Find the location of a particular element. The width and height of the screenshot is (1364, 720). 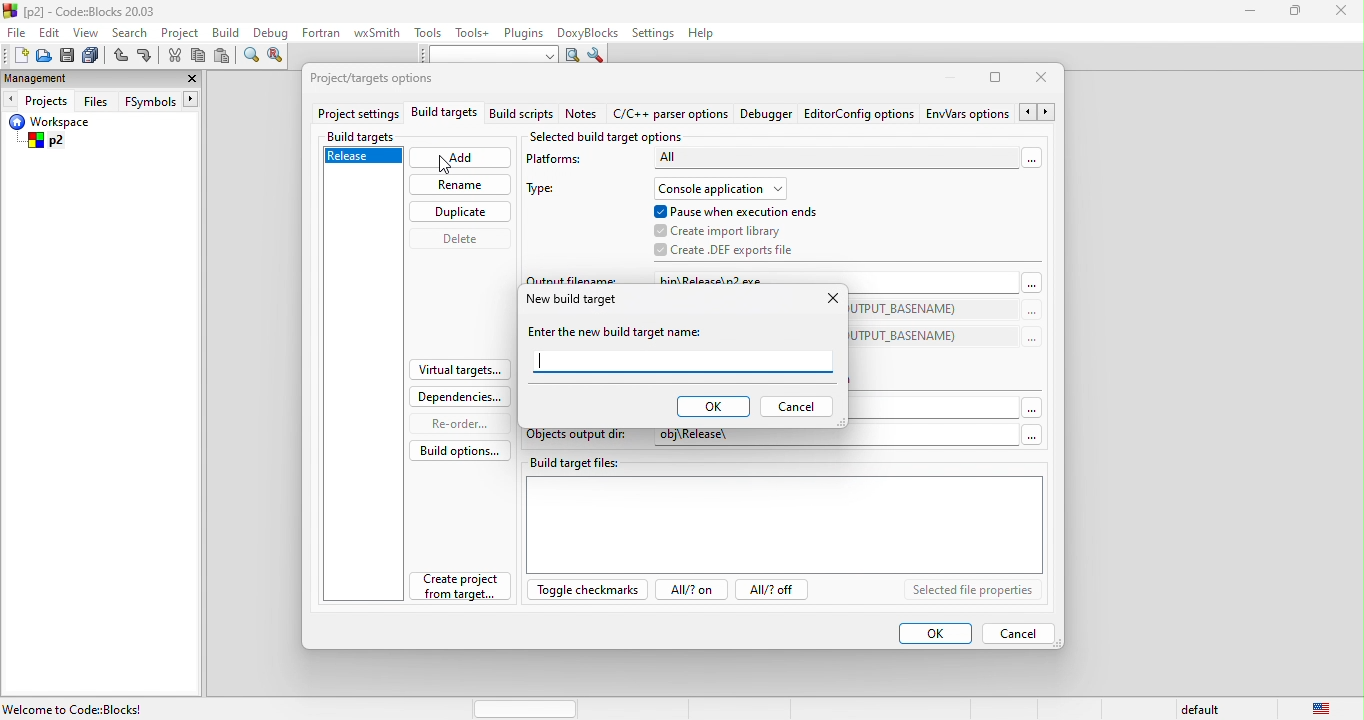

objects output dir: obj\Release\ is located at coordinates (786, 437).